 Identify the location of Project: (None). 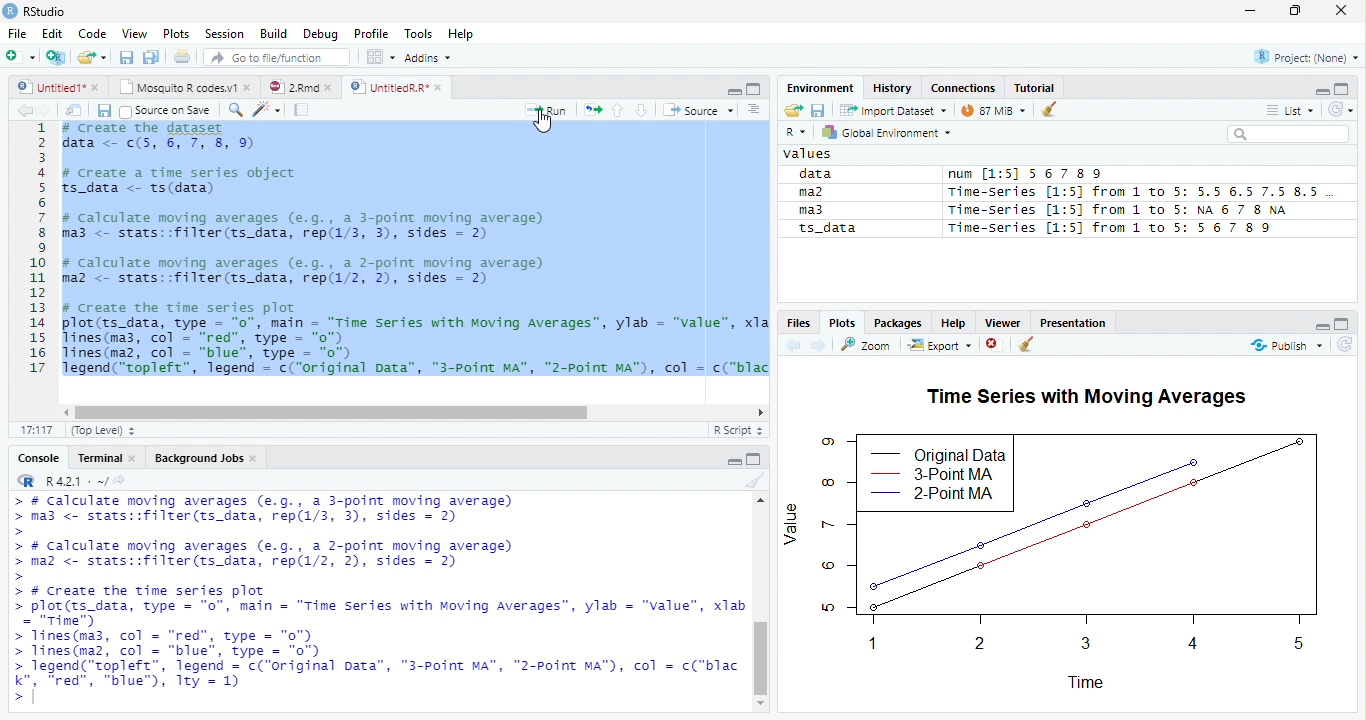
(1307, 58).